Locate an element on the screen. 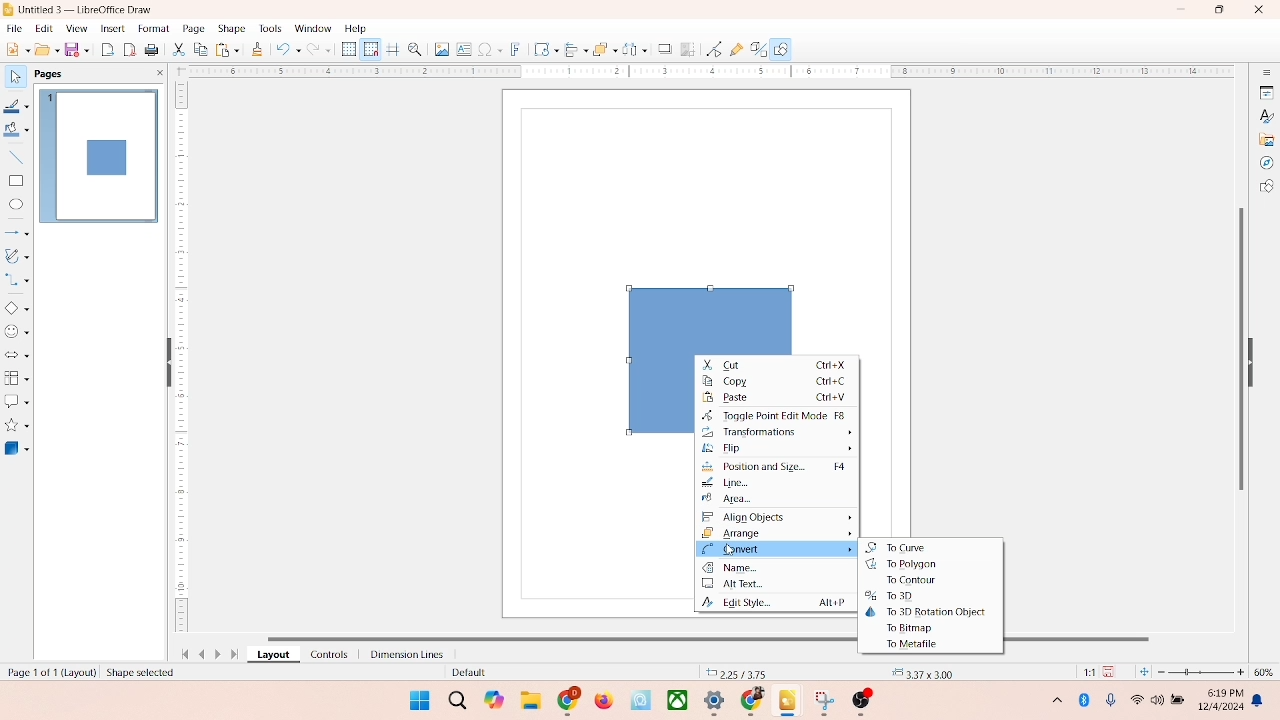 This screenshot has width=1280, height=720. to 3D is located at coordinates (887, 596).